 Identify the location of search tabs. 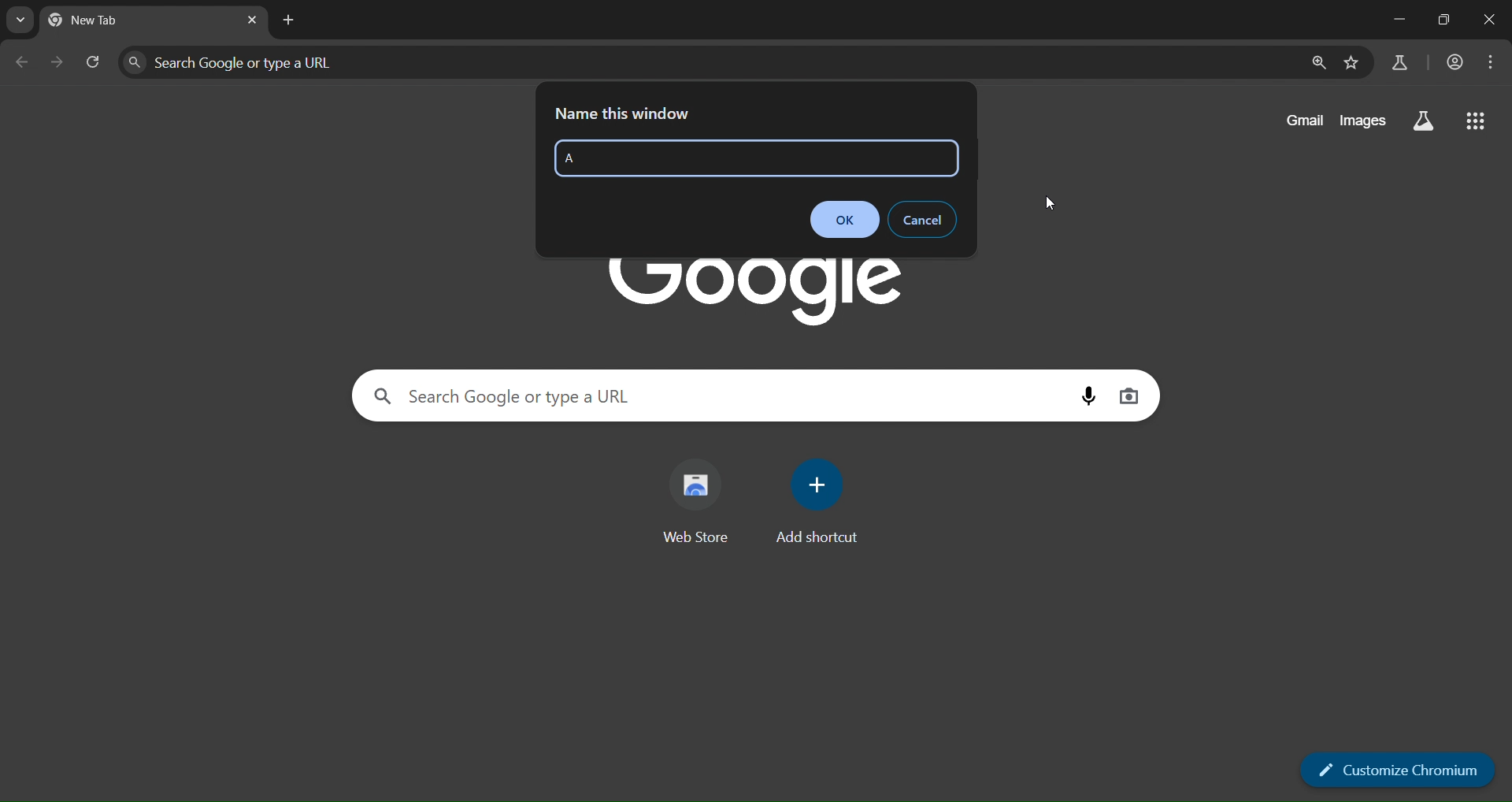
(20, 20).